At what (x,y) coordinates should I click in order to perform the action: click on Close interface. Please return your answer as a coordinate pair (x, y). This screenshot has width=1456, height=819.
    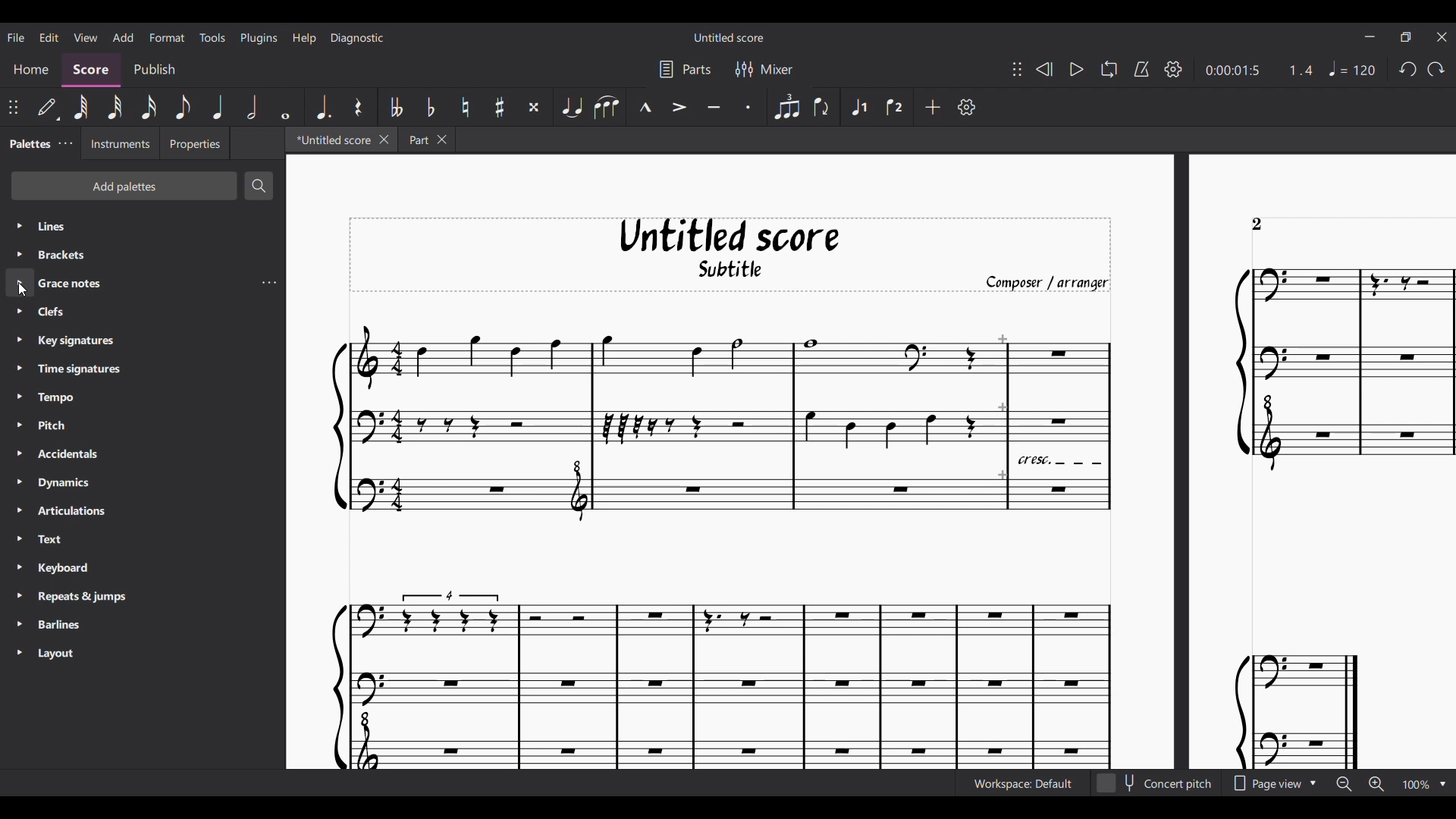
    Looking at the image, I should click on (1442, 37).